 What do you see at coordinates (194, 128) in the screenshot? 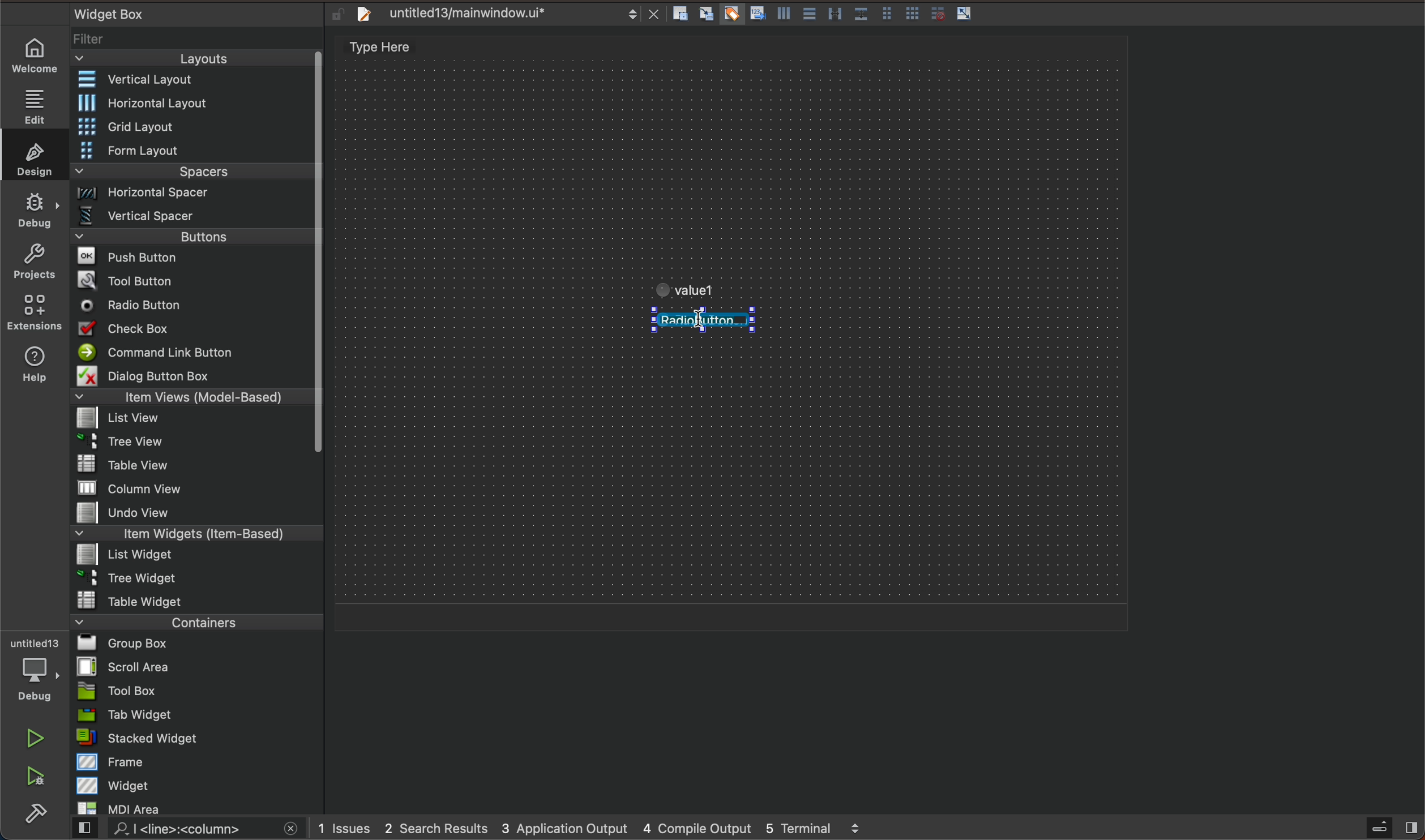
I see `` at bounding box center [194, 128].